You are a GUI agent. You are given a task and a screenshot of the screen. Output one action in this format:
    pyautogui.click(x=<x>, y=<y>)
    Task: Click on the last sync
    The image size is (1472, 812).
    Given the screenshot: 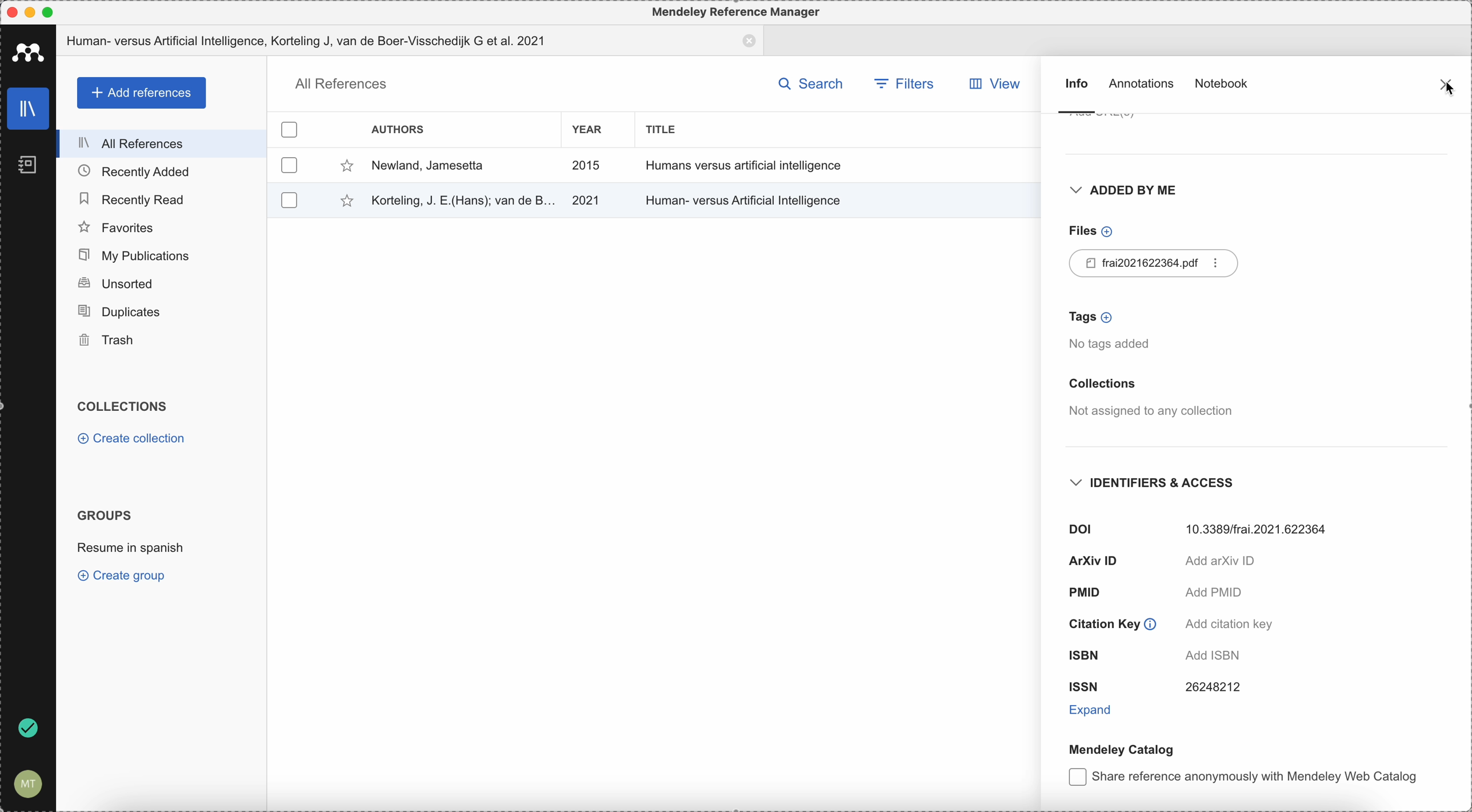 What is the action you would take?
    pyautogui.click(x=33, y=726)
    